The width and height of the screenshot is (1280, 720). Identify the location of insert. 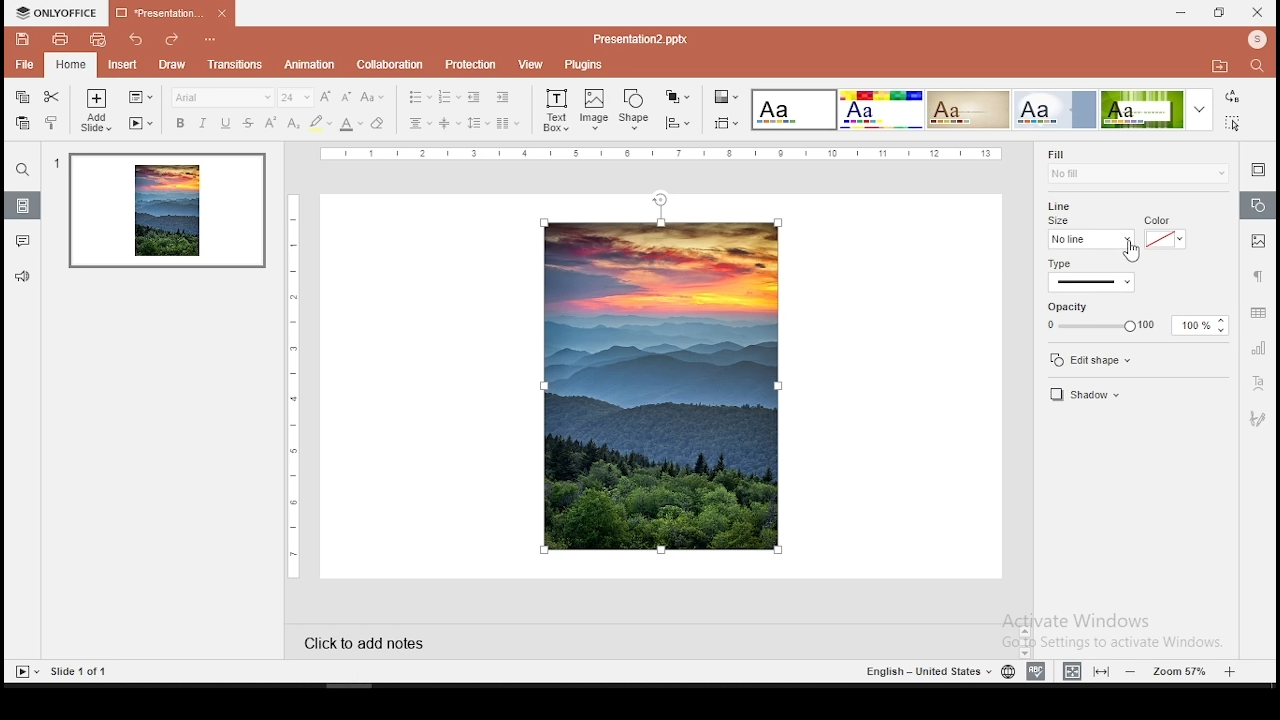
(119, 65).